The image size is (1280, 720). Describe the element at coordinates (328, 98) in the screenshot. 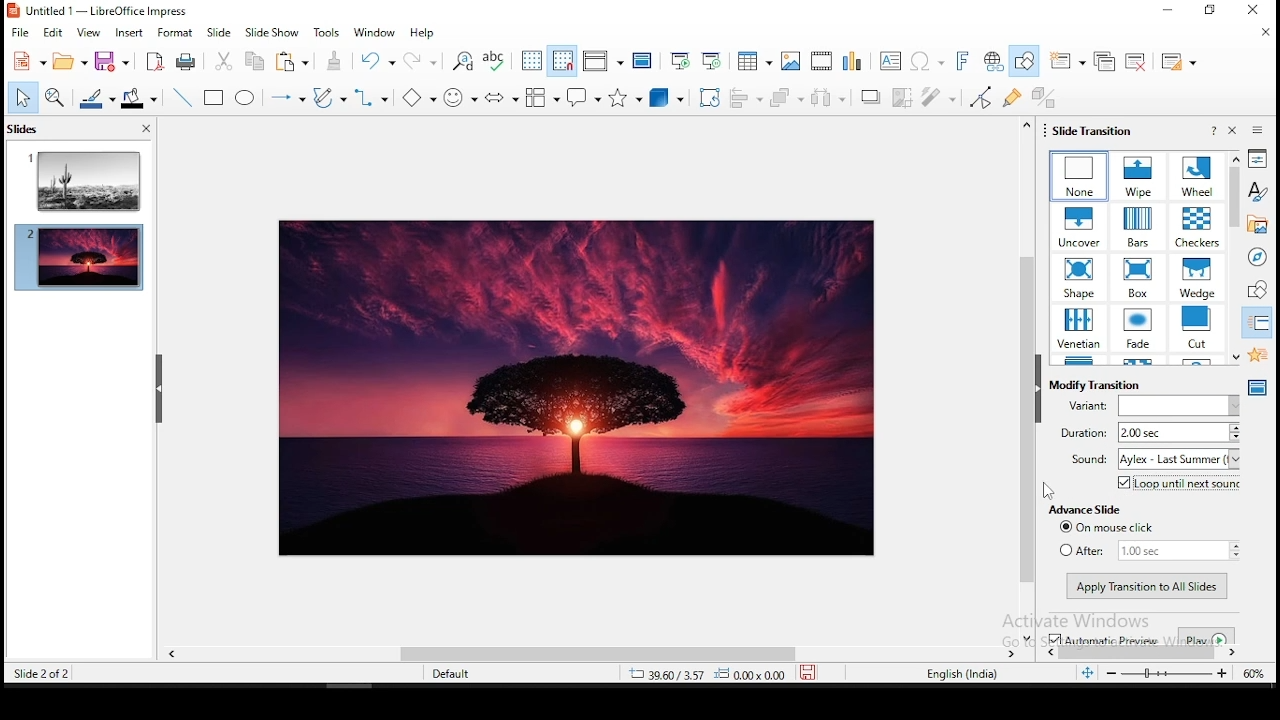

I see `curves and polygons` at that location.